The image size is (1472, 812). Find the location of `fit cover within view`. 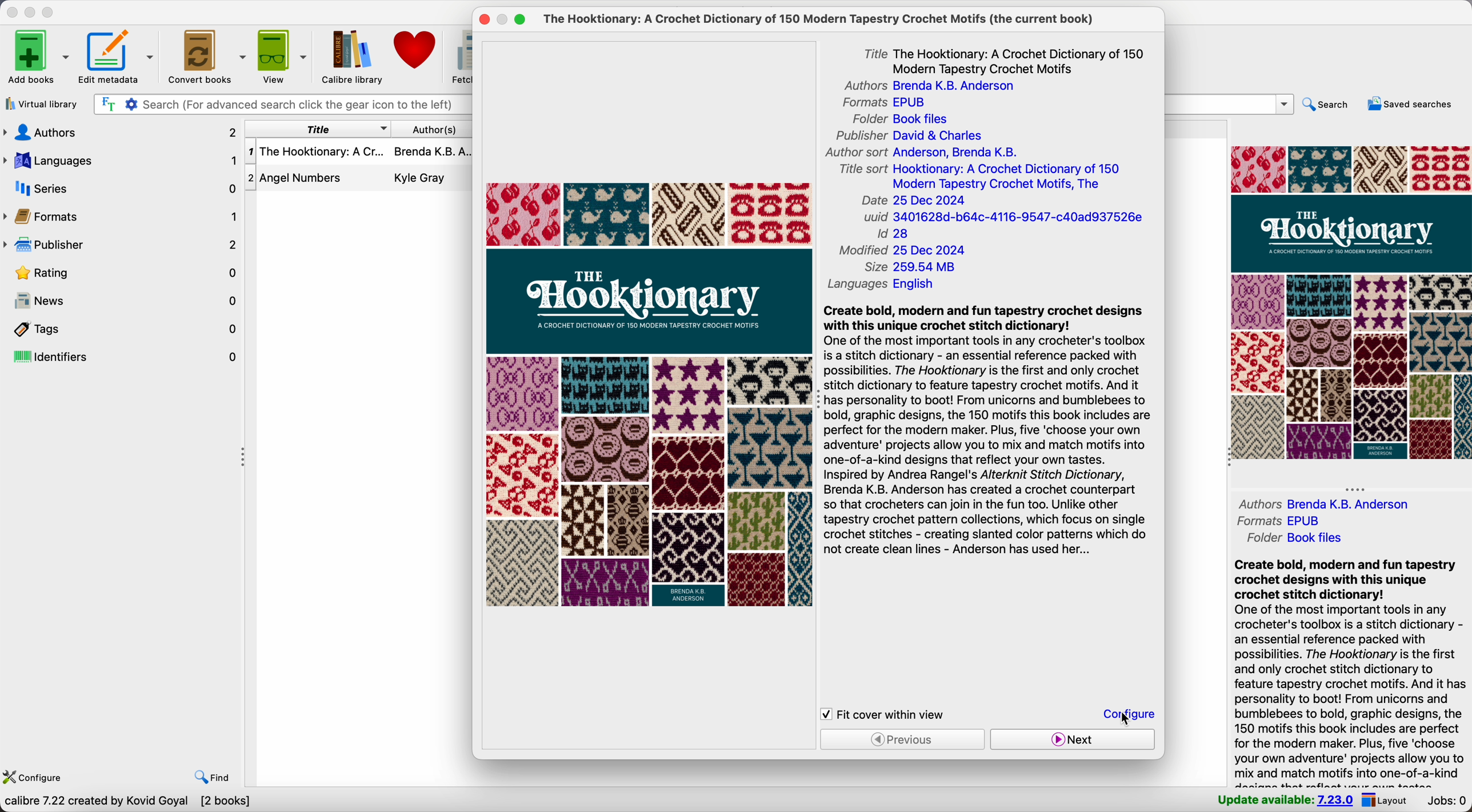

fit cover within view is located at coordinates (883, 714).